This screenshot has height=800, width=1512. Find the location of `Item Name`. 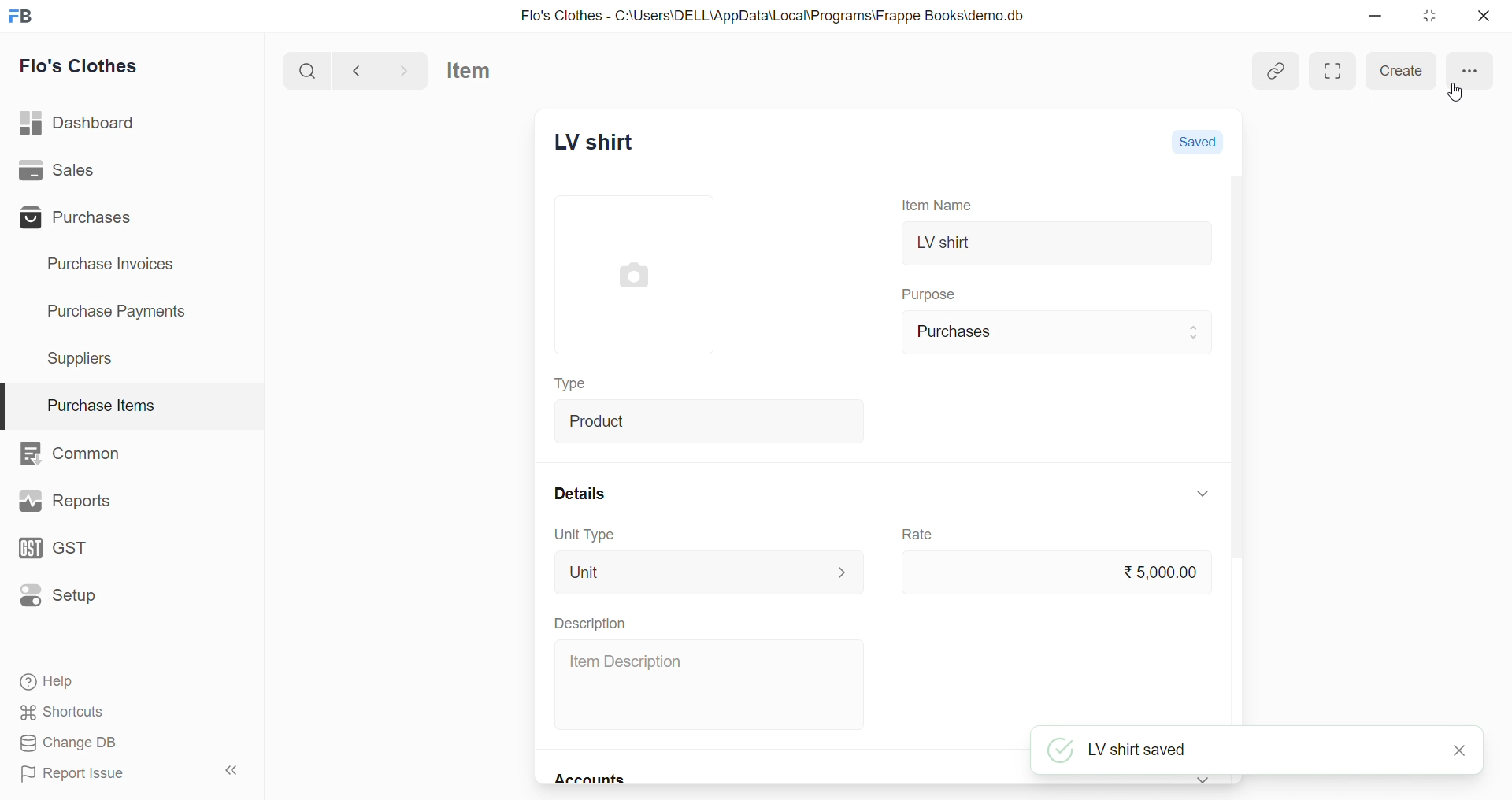

Item Name is located at coordinates (941, 204).